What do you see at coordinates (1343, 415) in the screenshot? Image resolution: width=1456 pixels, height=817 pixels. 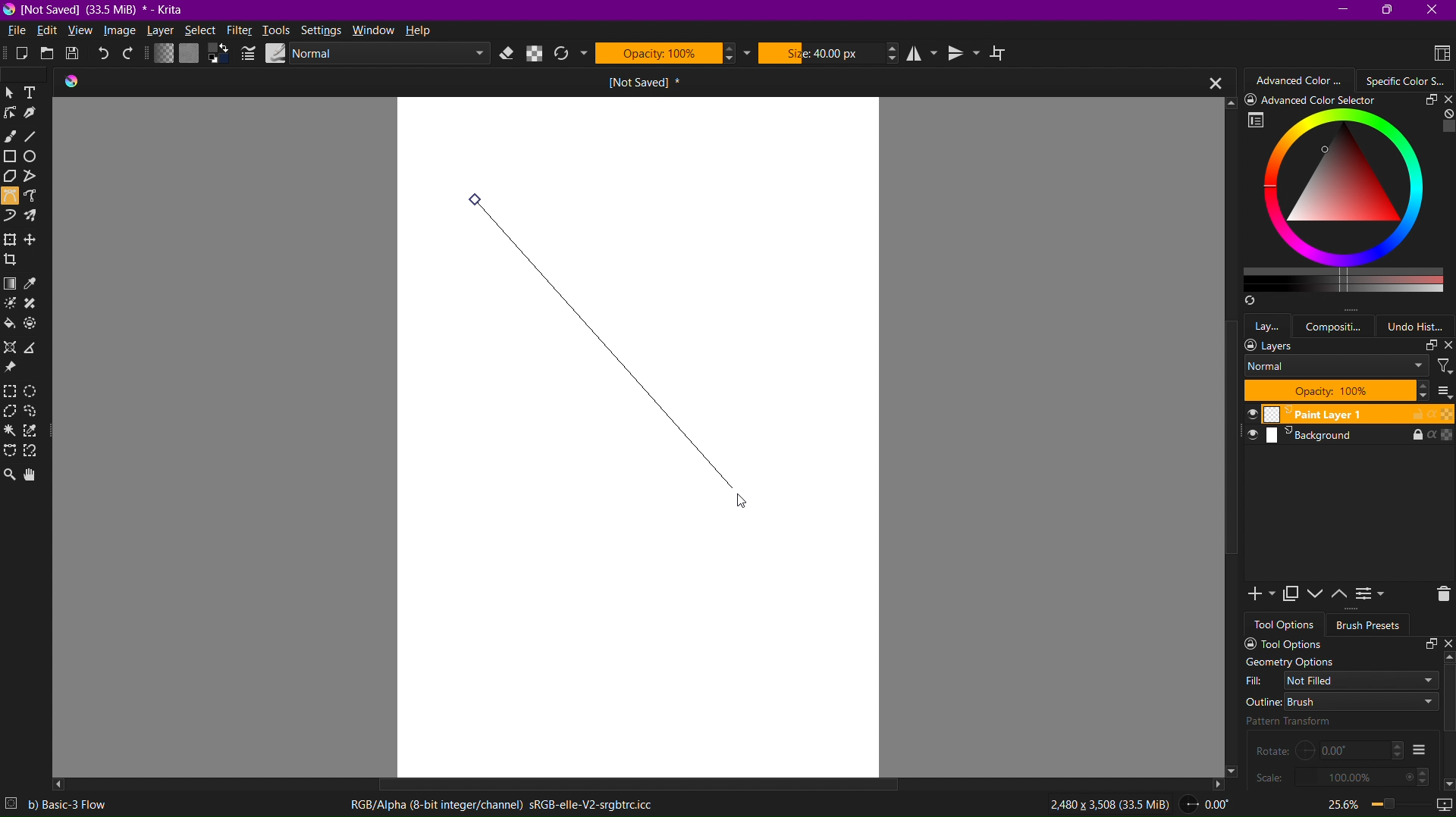 I see `Paint Layer 1` at bounding box center [1343, 415].